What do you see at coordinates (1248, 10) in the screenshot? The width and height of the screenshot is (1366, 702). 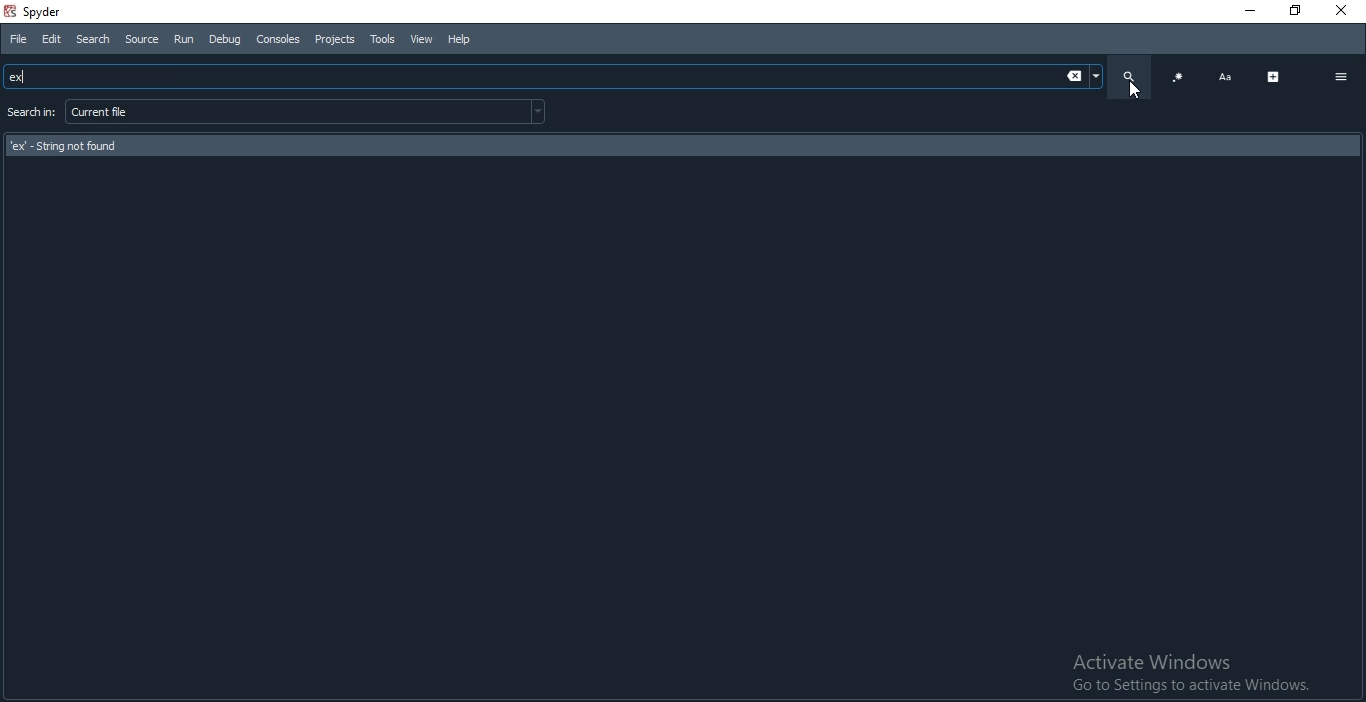 I see `Minimise` at bounding box center [1248, 10].